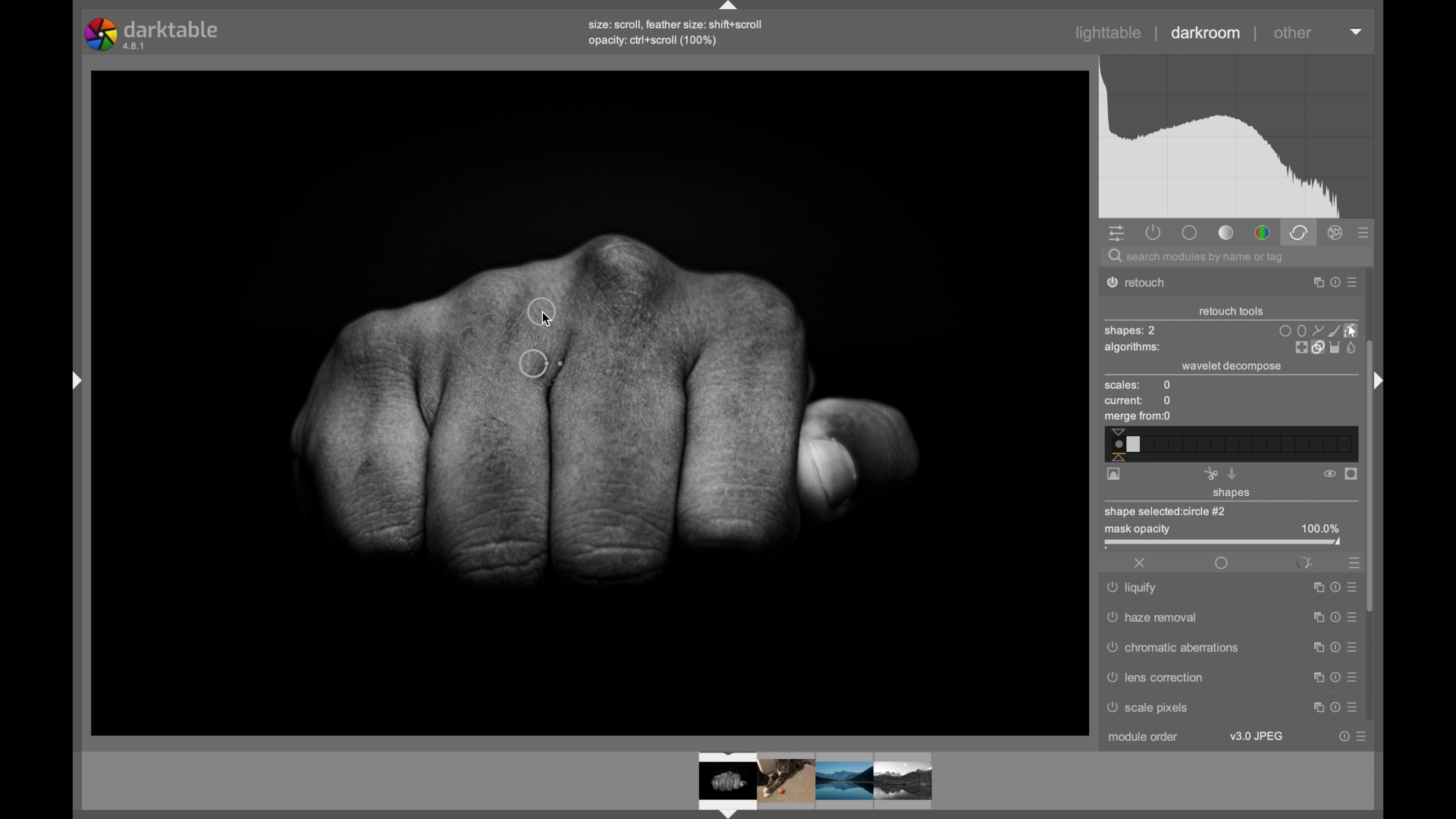 Image resolution: width=1456 pixels, height=819 pixels. I want to click on color, so click(1262, 234).